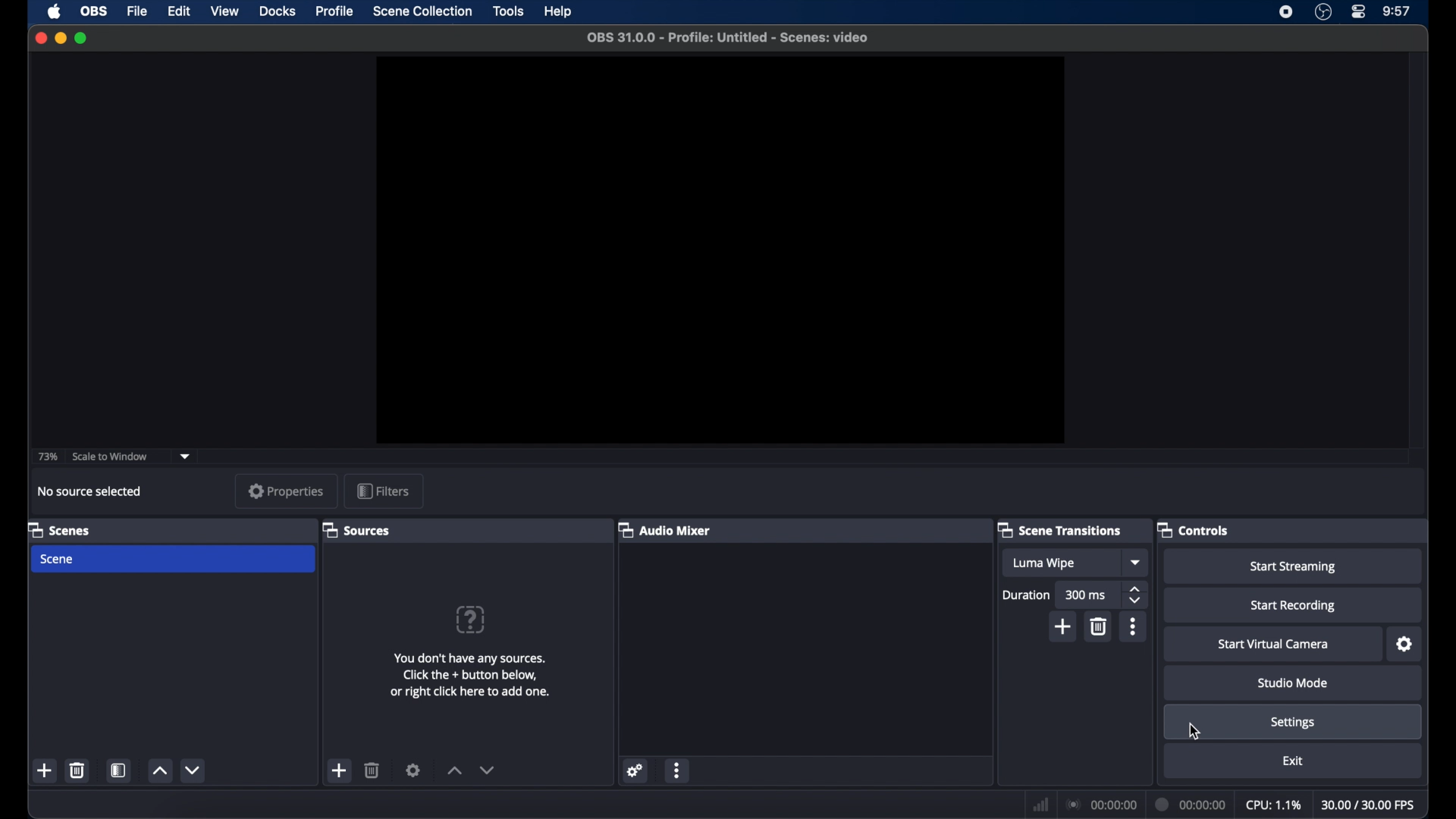  Describe the element at coordinates (278, 11) in the screenshot. I see `docks` at that location.